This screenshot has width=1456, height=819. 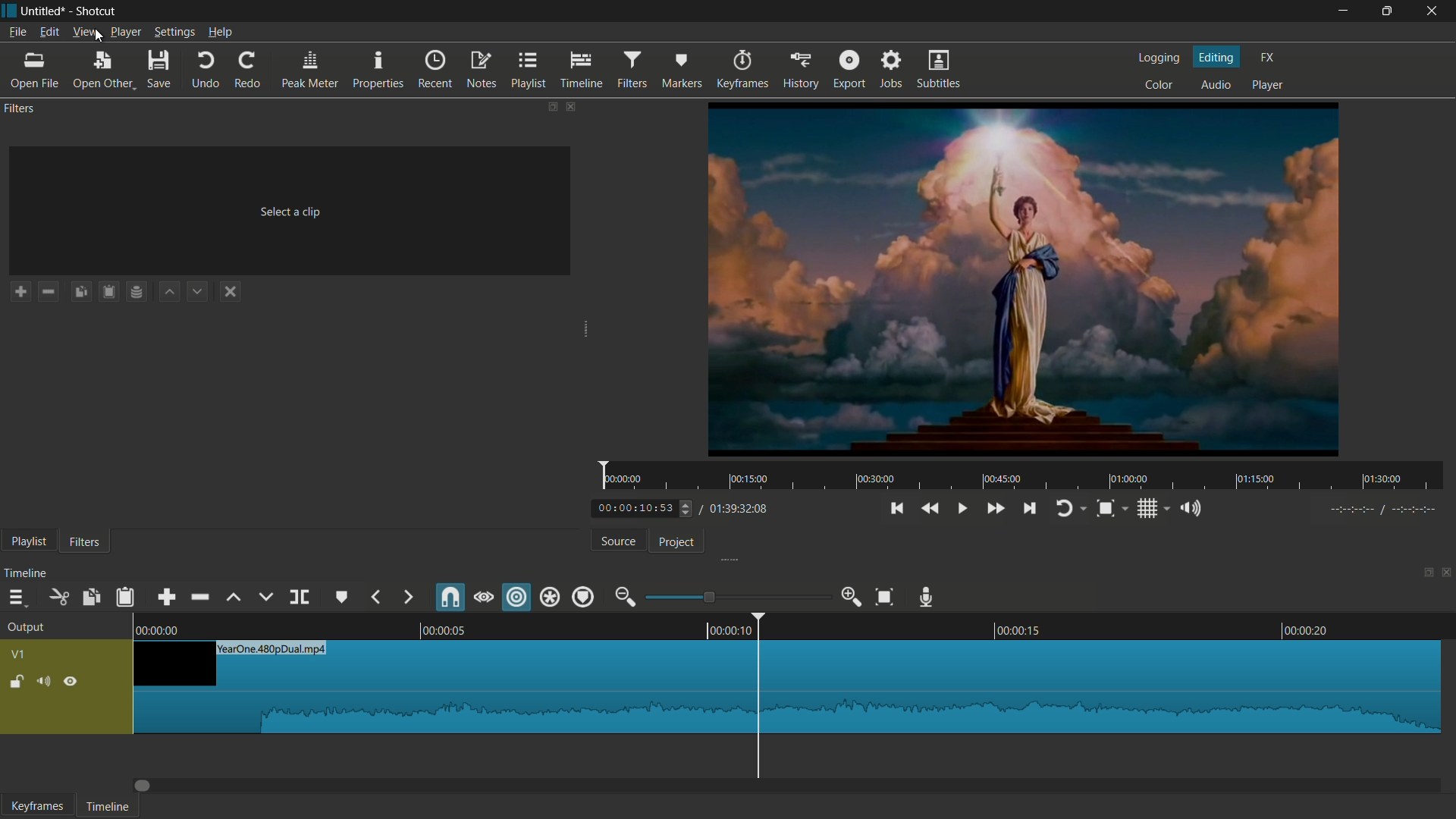 What do you see at coordinates (236, 599) in the screenshot?
I see `lift` at bounding box center [236, 599].